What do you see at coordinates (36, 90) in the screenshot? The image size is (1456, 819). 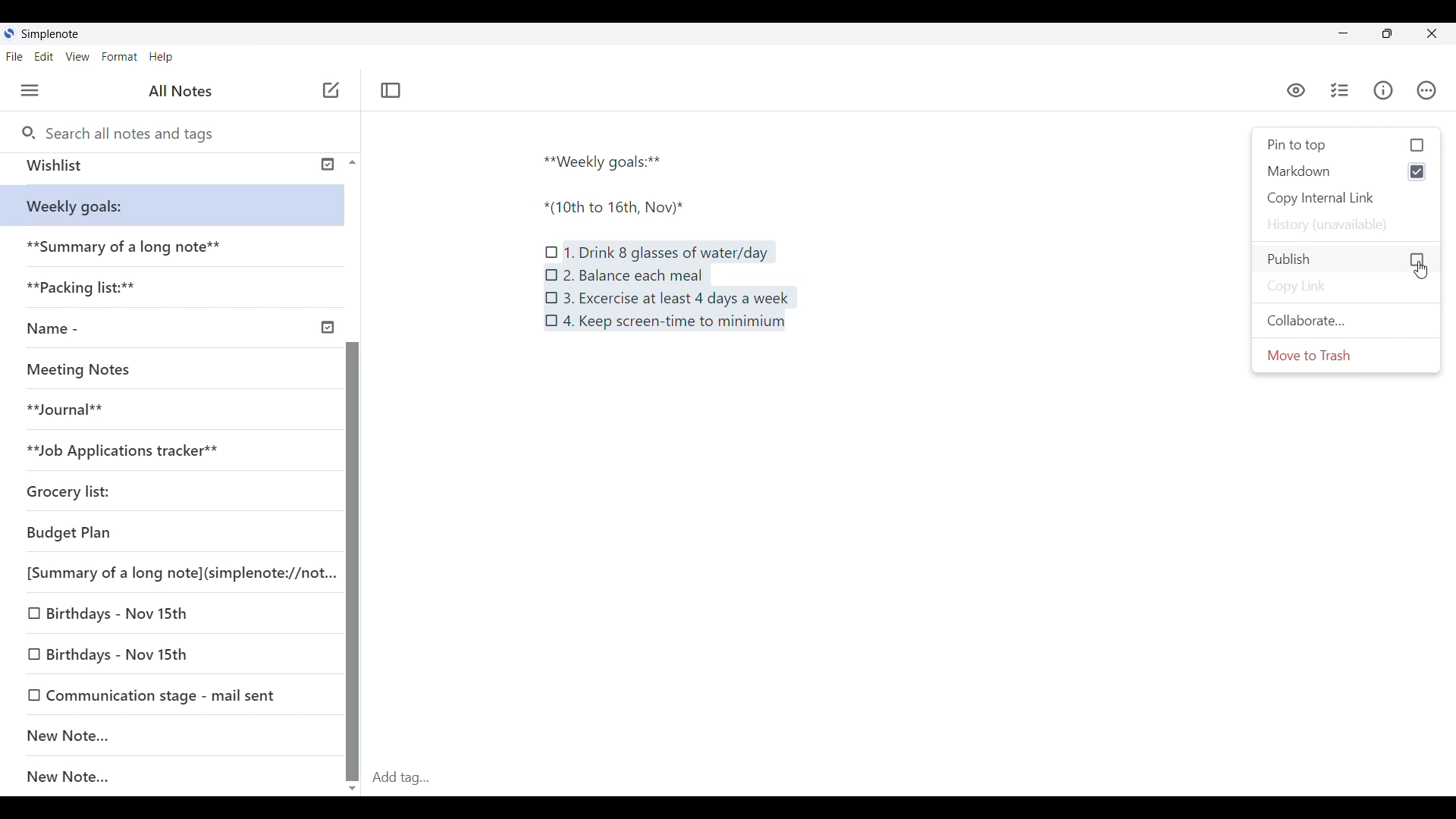 I see `Menu • ctrl + shift + u` at bounding box center [36, 90].